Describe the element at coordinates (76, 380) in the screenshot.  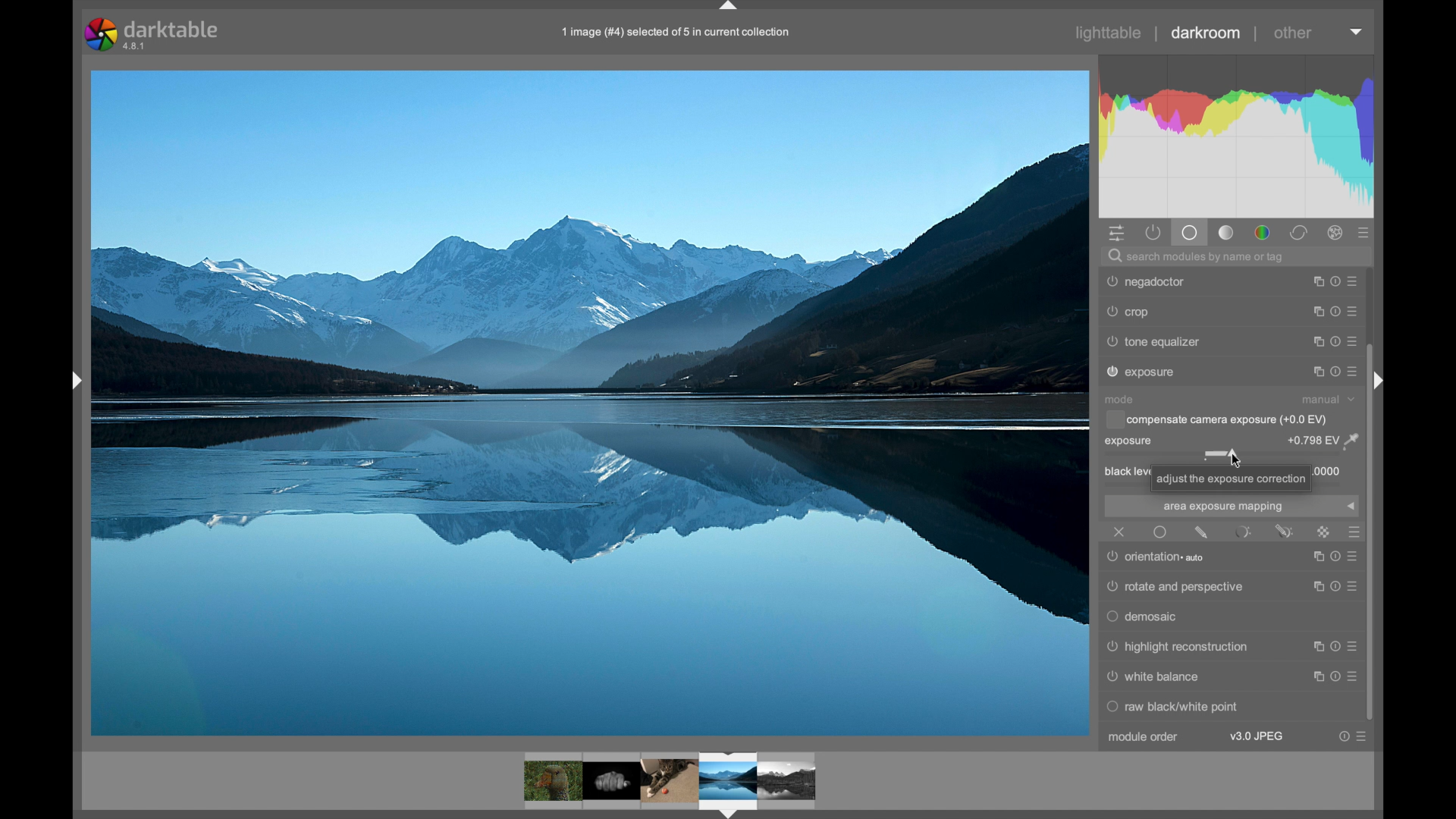
I see `drag handle` at that location.